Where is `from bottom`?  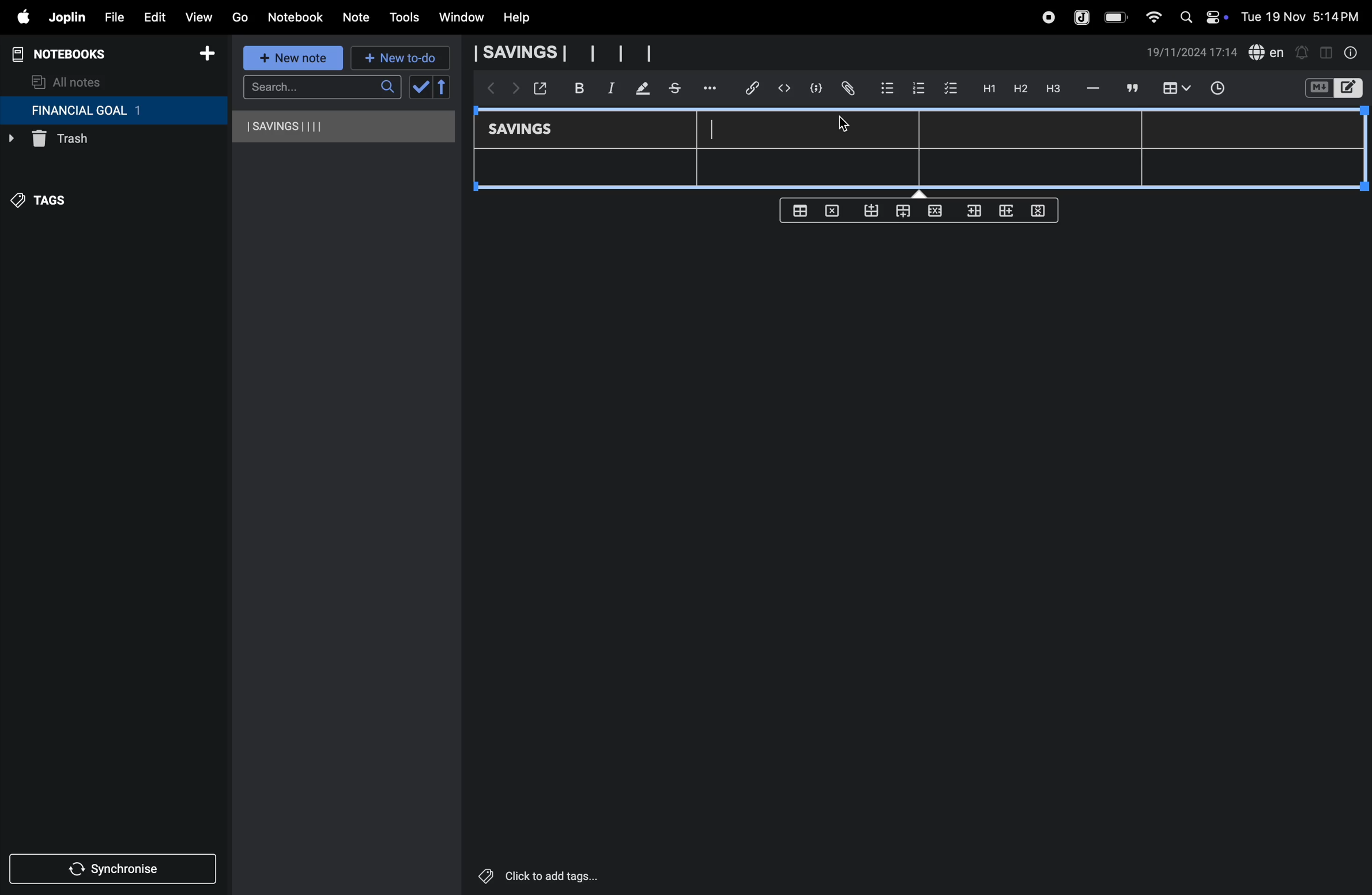 from bottom is located at coordinates (872, 211).